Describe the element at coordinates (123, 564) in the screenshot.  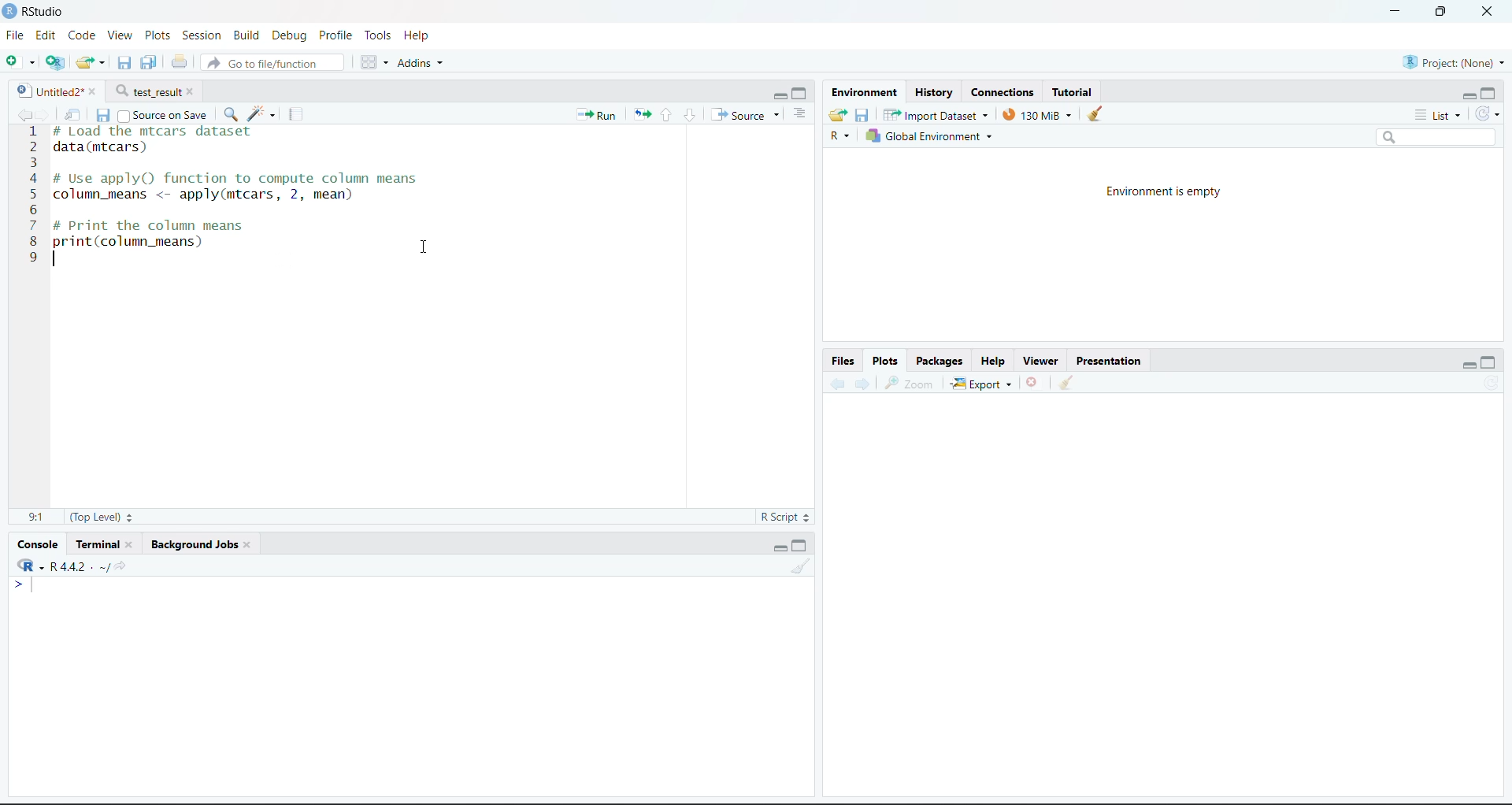
I see `View the current working directory` at that location.